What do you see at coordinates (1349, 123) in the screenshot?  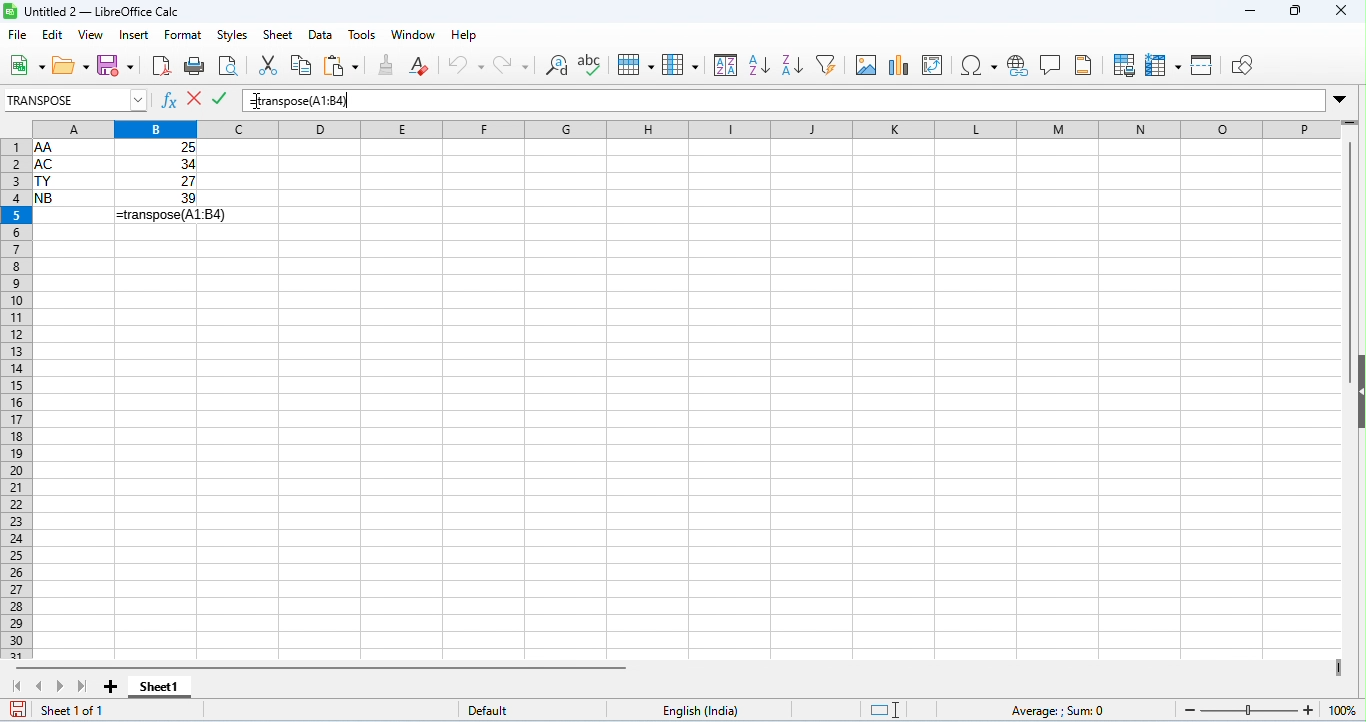 I see `drag to view rows` at bounding box center [1349, 123].